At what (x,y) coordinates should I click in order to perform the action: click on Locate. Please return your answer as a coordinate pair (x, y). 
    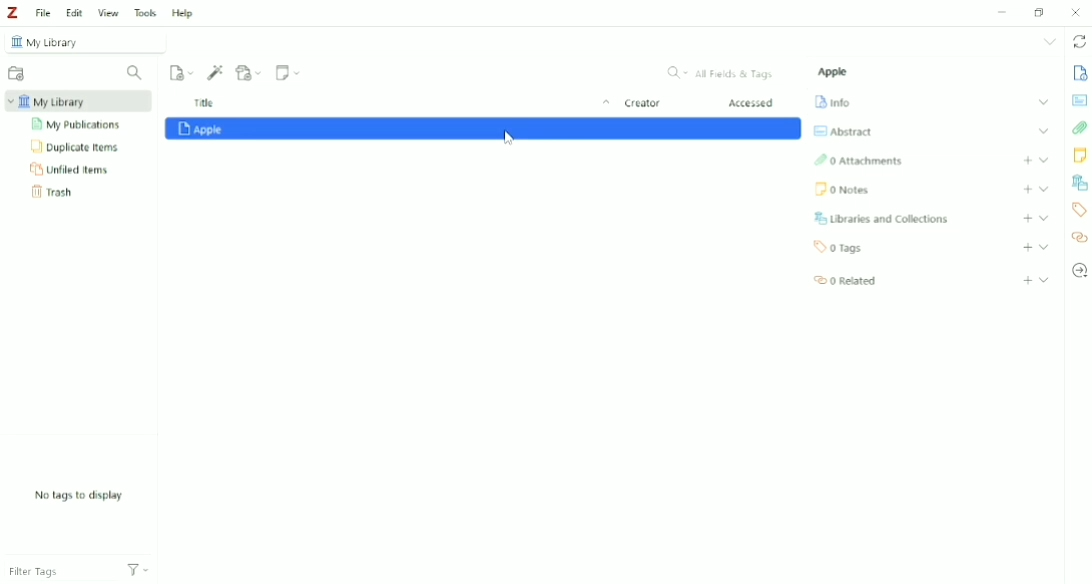
    Looking at the image, I should click on (1080, 271).